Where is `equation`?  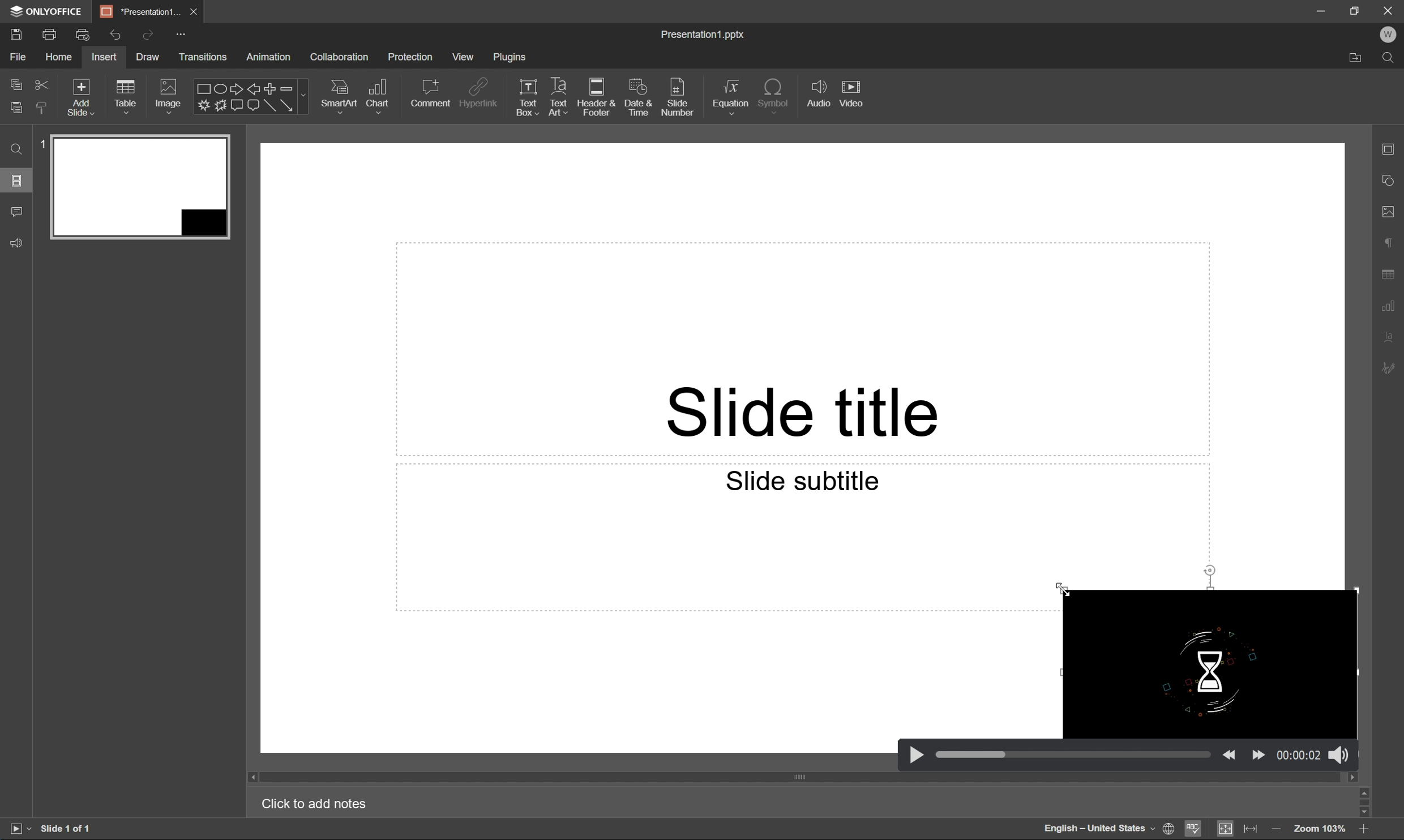 equation is located at coordinates (731, 97).